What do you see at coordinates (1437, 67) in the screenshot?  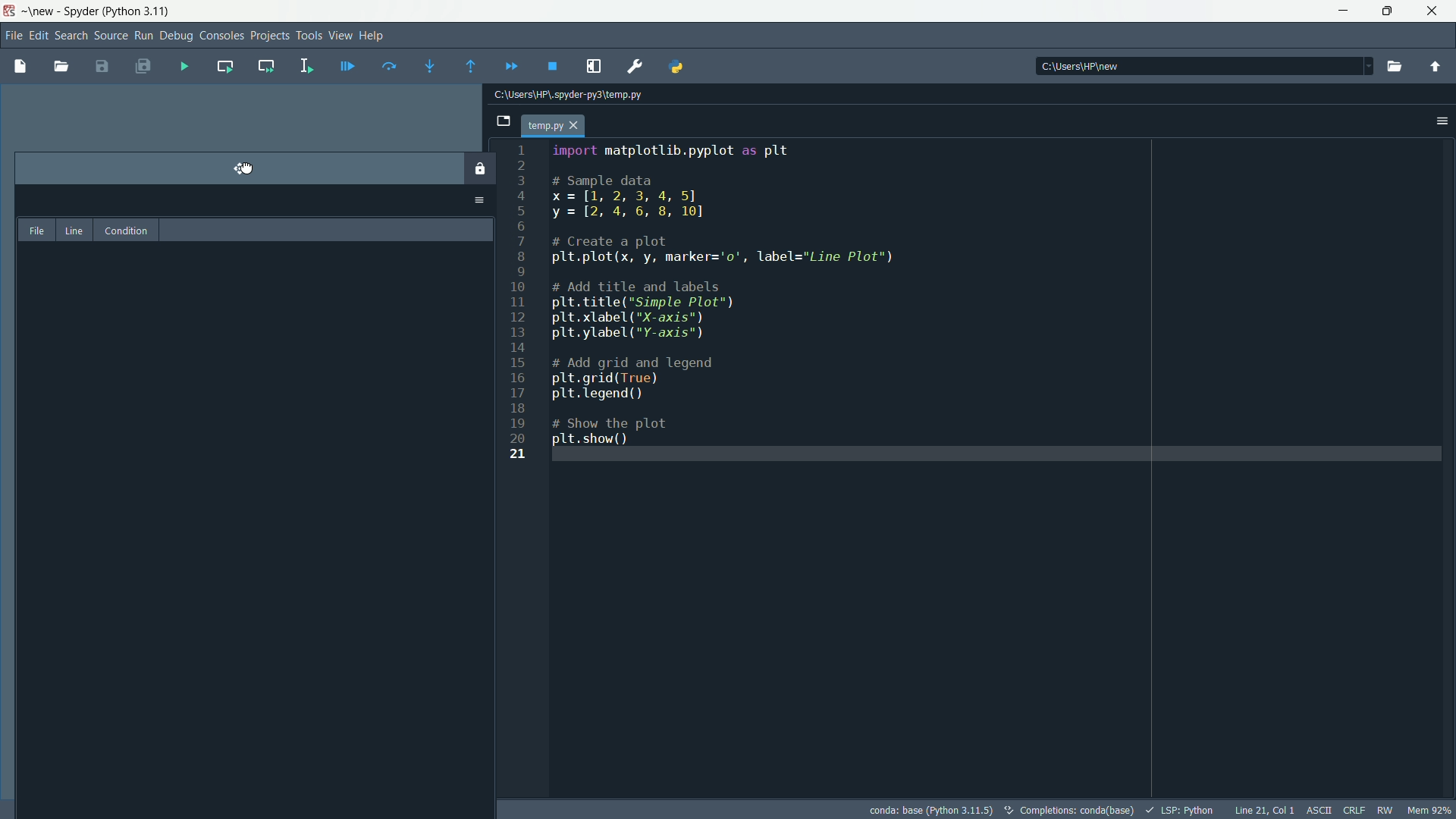 I see `parent directory` at bounding box center [1437, 67].